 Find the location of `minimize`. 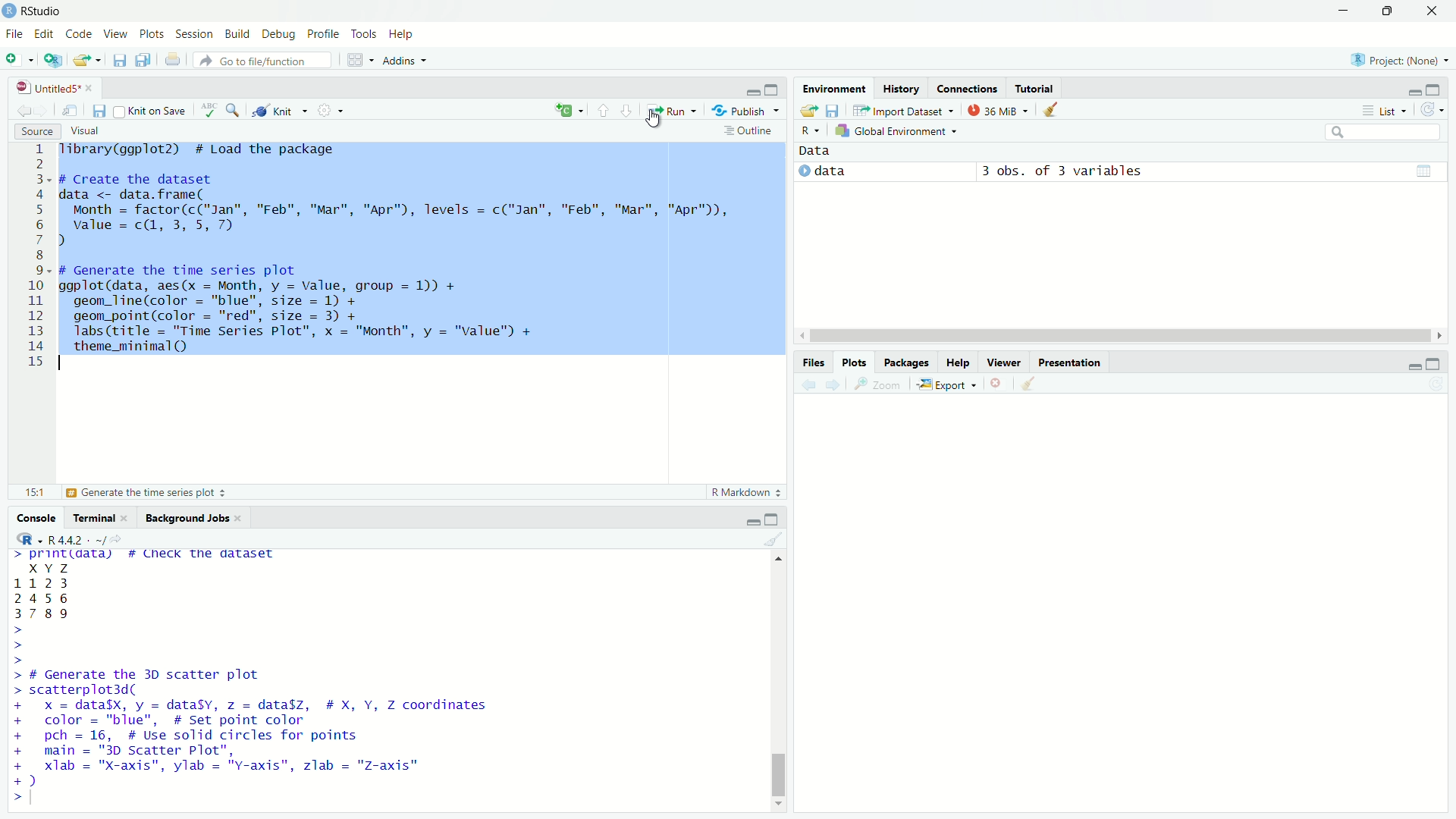

minimize is located at coordinates (1413, 89).